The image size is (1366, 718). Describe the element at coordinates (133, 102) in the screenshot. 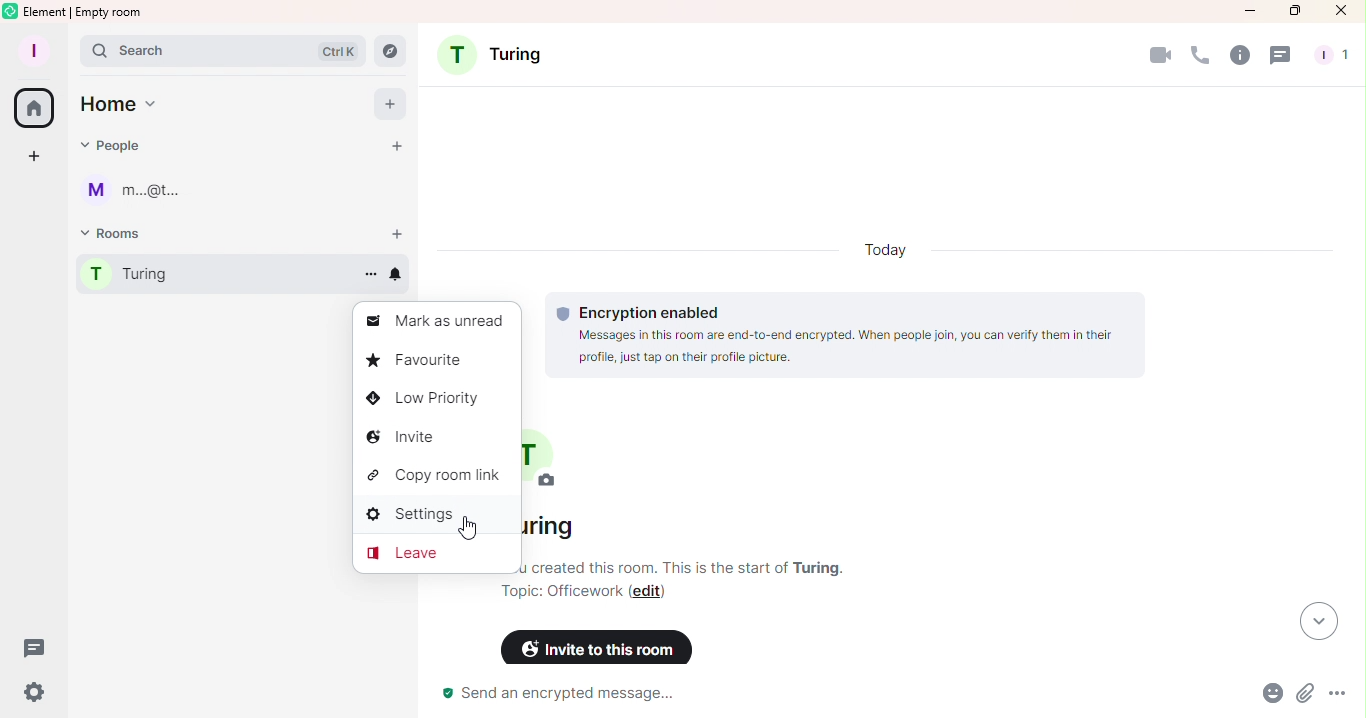

I see `Home` at that location.